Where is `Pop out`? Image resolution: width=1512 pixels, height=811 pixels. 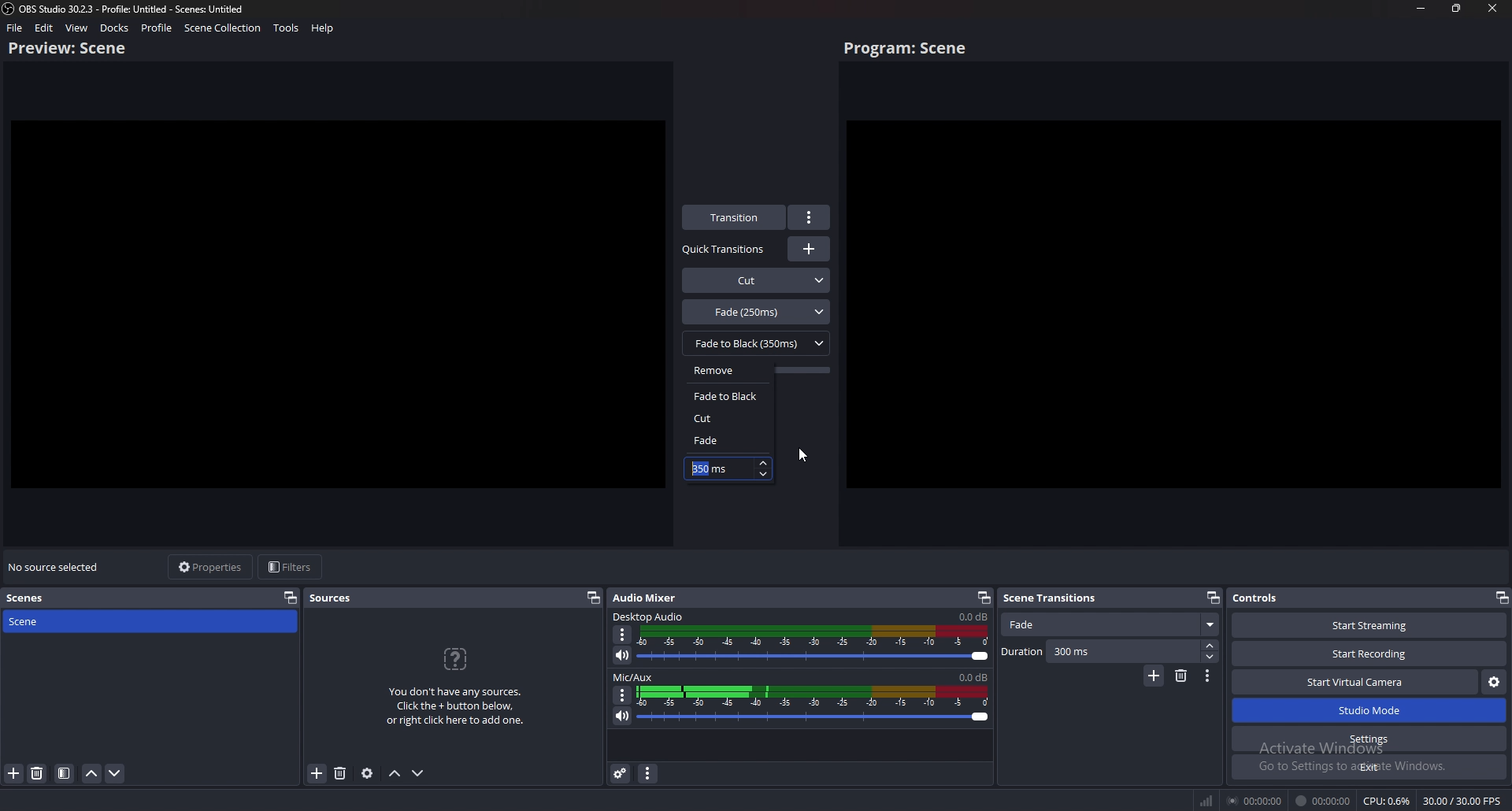 Pop out is located at coordinates (984, 598).